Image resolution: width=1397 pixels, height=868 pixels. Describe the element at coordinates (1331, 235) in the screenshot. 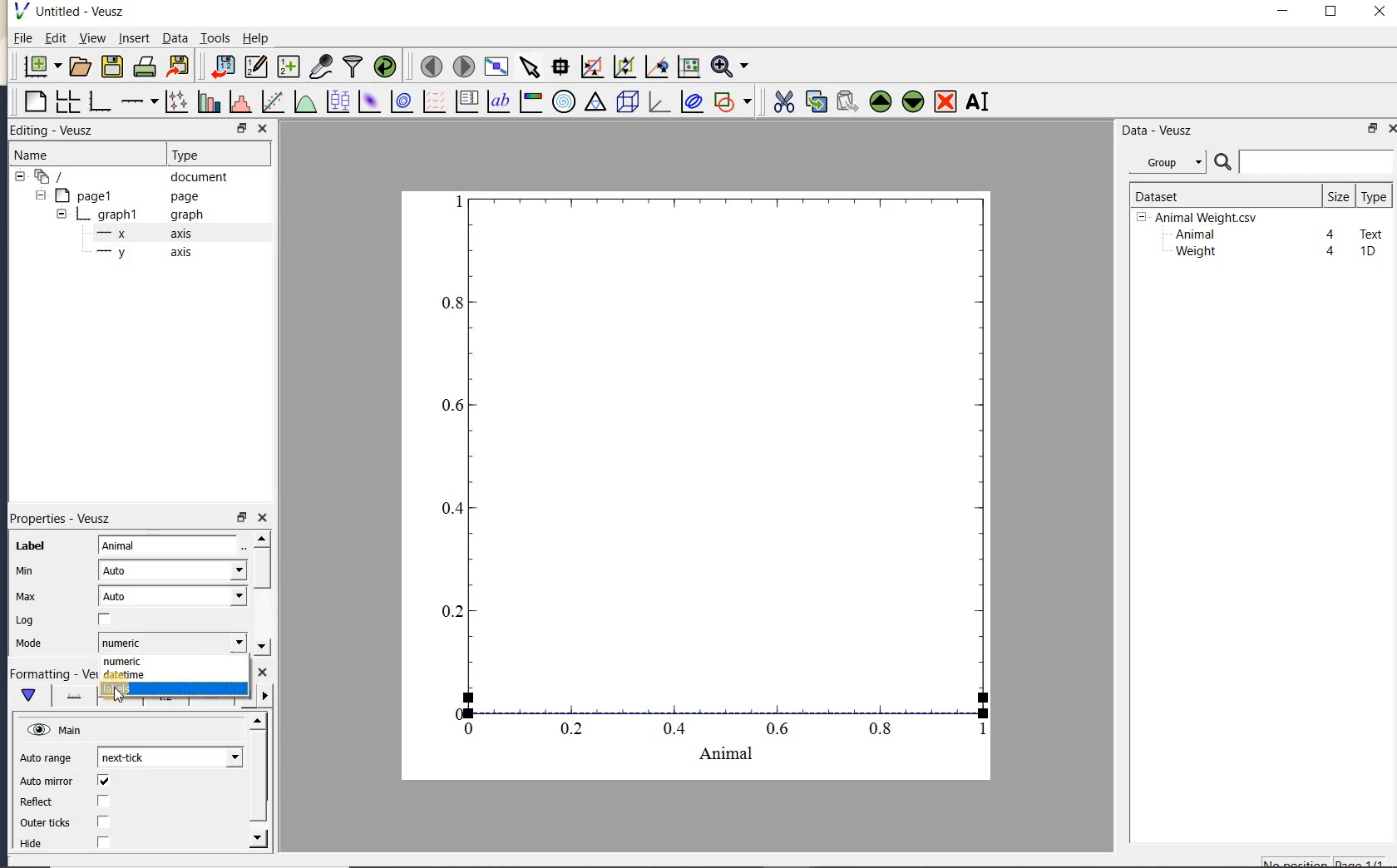

I see `4` at that location.